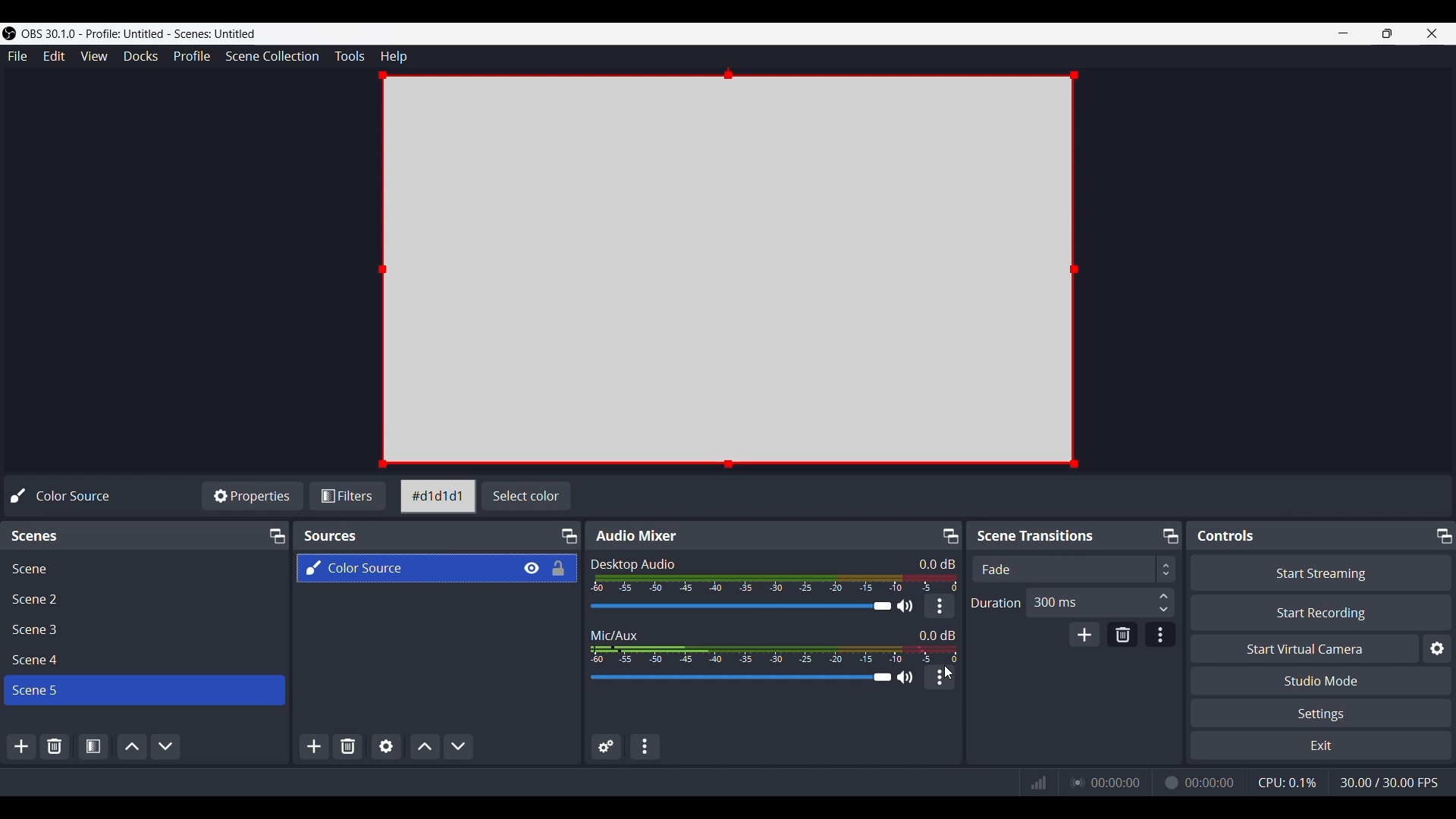  Describe the element at coordinates (350, 494) in the screenshot. I see `Filters` at that location.